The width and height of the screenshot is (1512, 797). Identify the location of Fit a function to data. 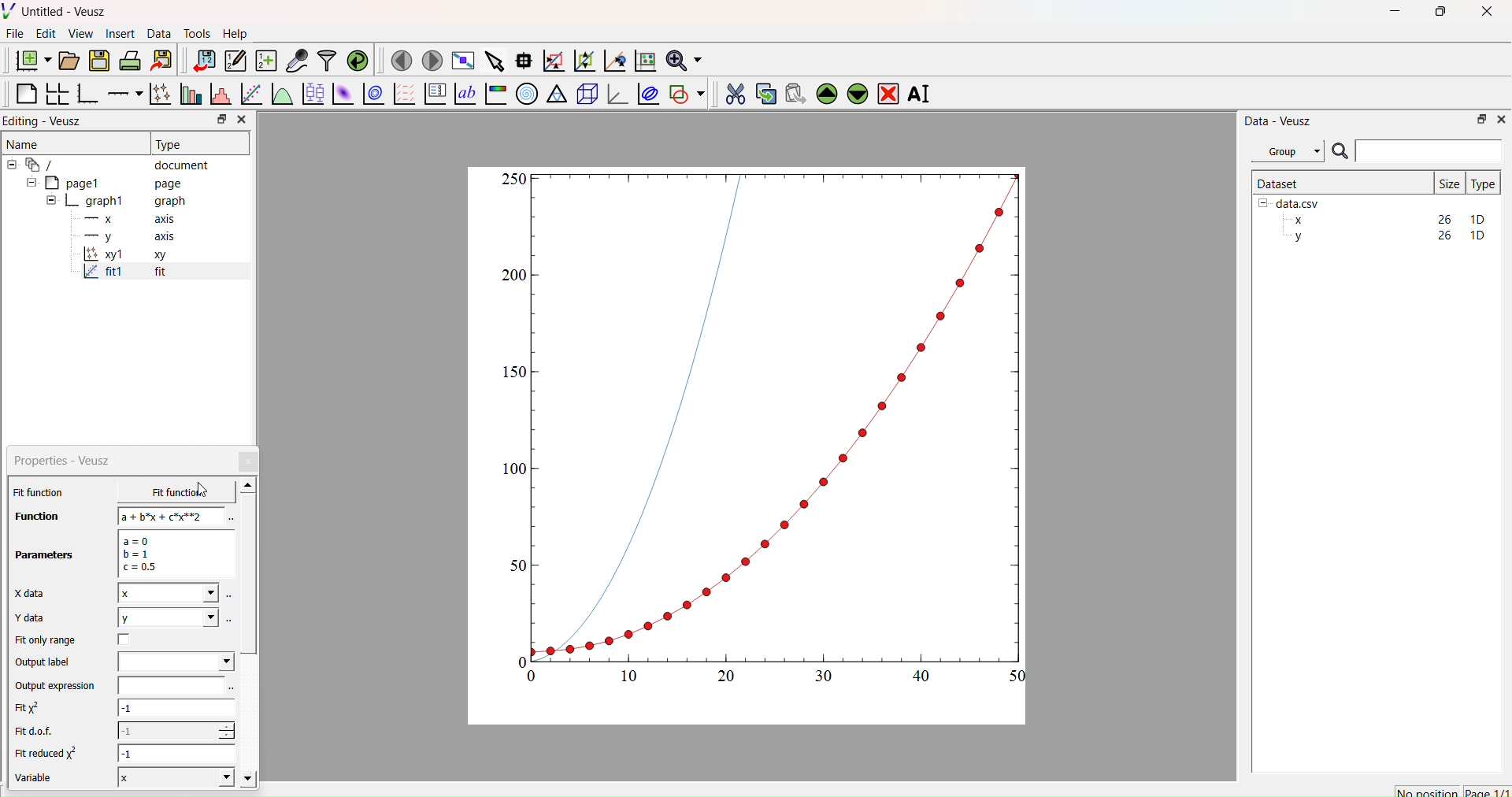
(250, 95).